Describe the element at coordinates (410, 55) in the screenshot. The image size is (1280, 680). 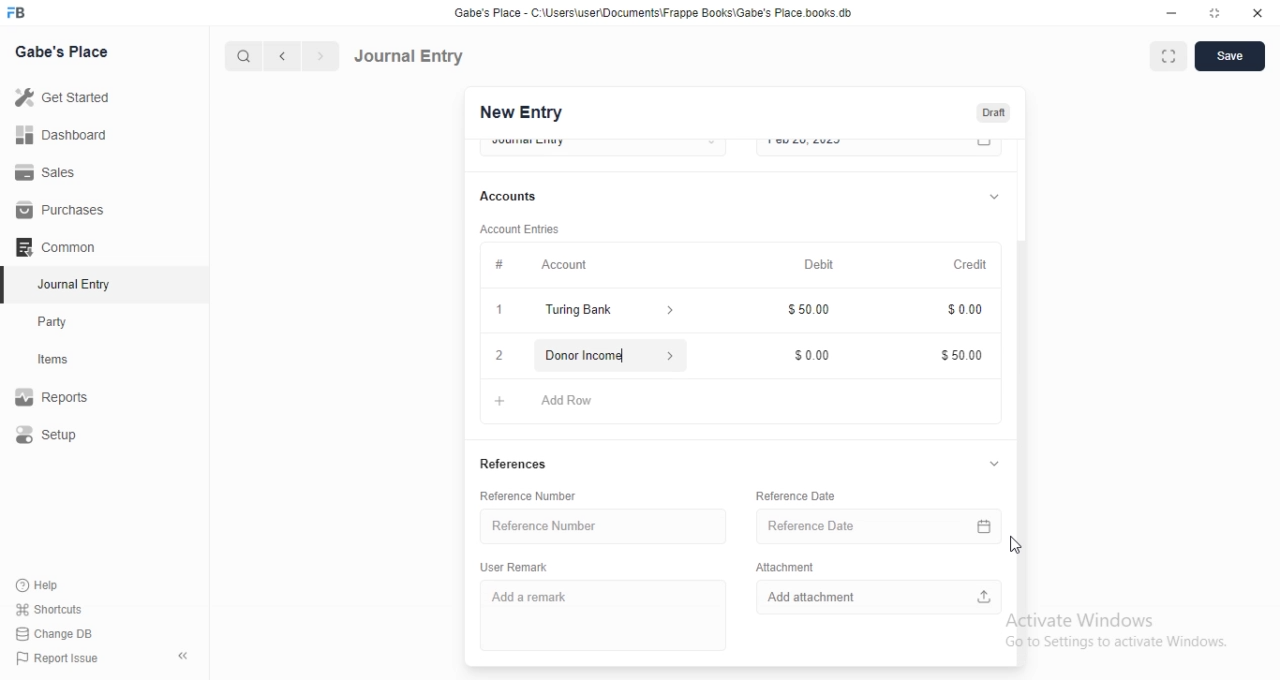
I see `Journal Entry` at that location.